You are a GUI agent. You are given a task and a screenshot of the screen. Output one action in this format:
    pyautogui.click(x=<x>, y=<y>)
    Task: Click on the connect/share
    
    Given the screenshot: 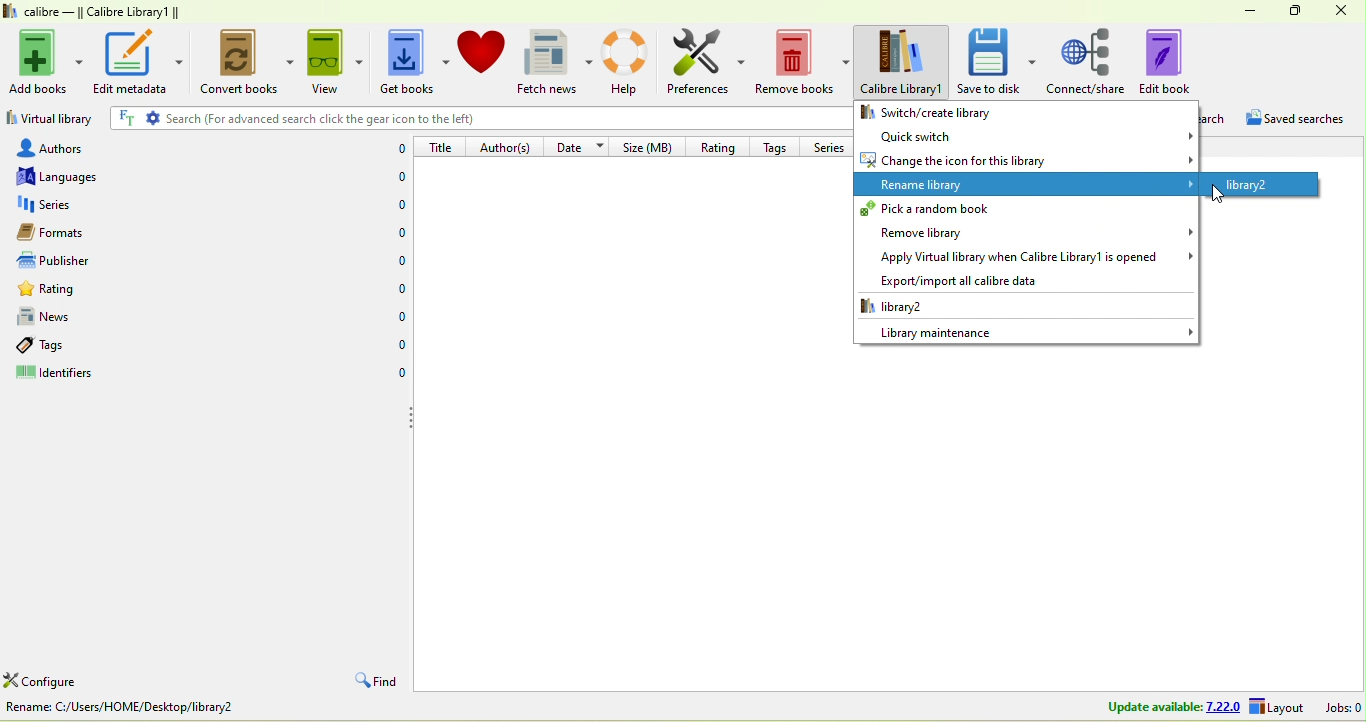 What is the action you would take?
    pyautogui.click(x=1087, y=60)
    